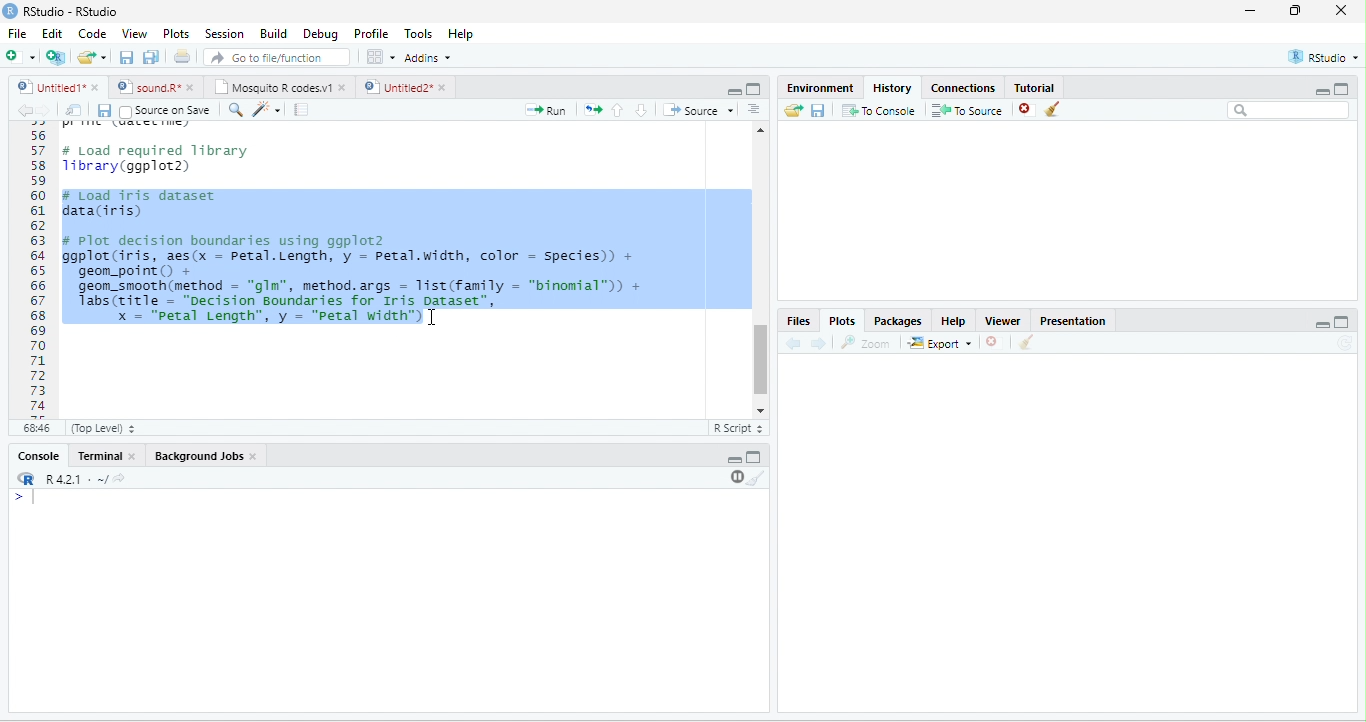  I want to click on minimize, so click(1321, 92).